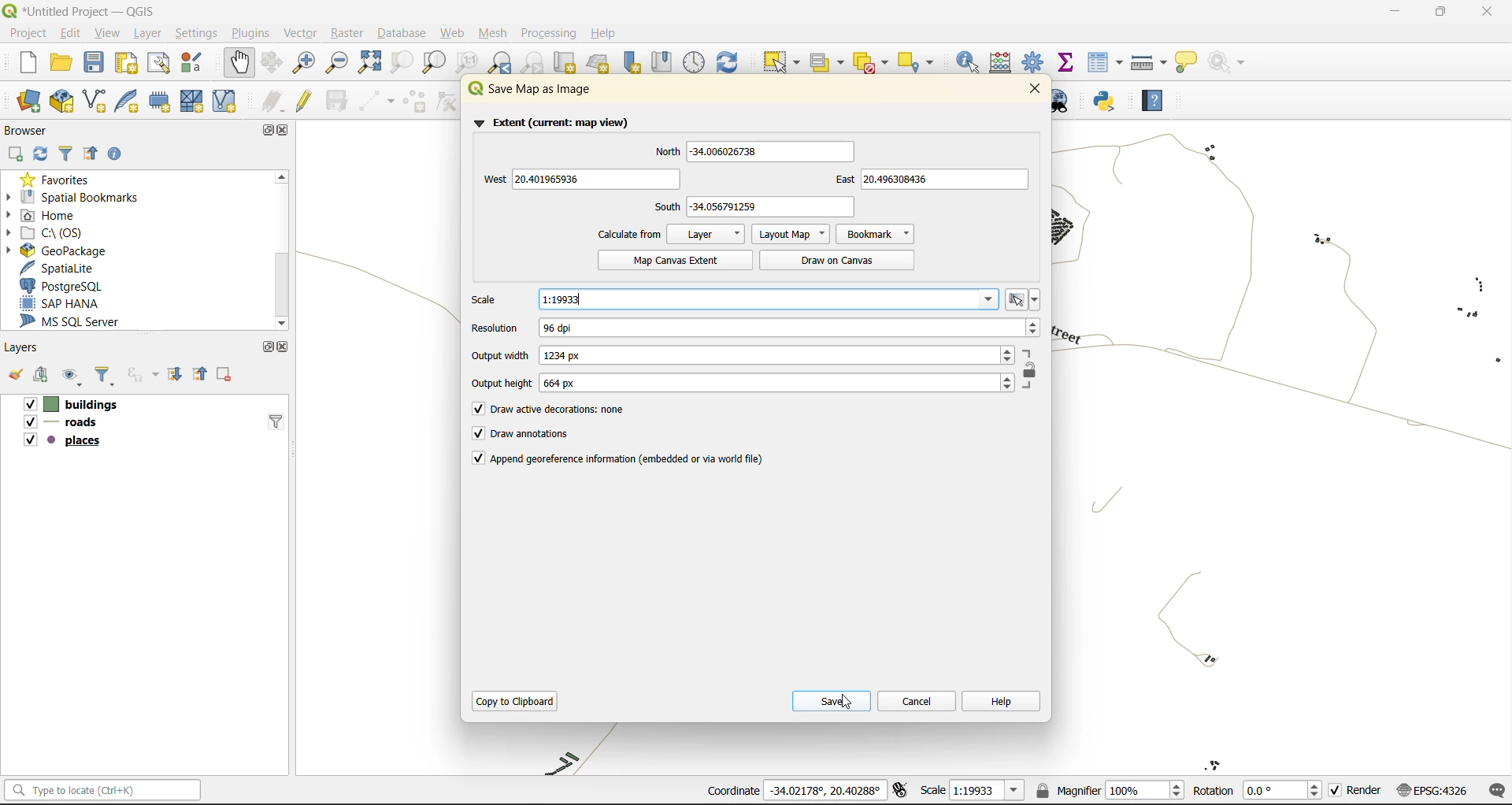 The height and width of the screenshot is (805, 1512). Describe the element at coordinates (915, 698) in the screenshot. I see `cancel` at that location.